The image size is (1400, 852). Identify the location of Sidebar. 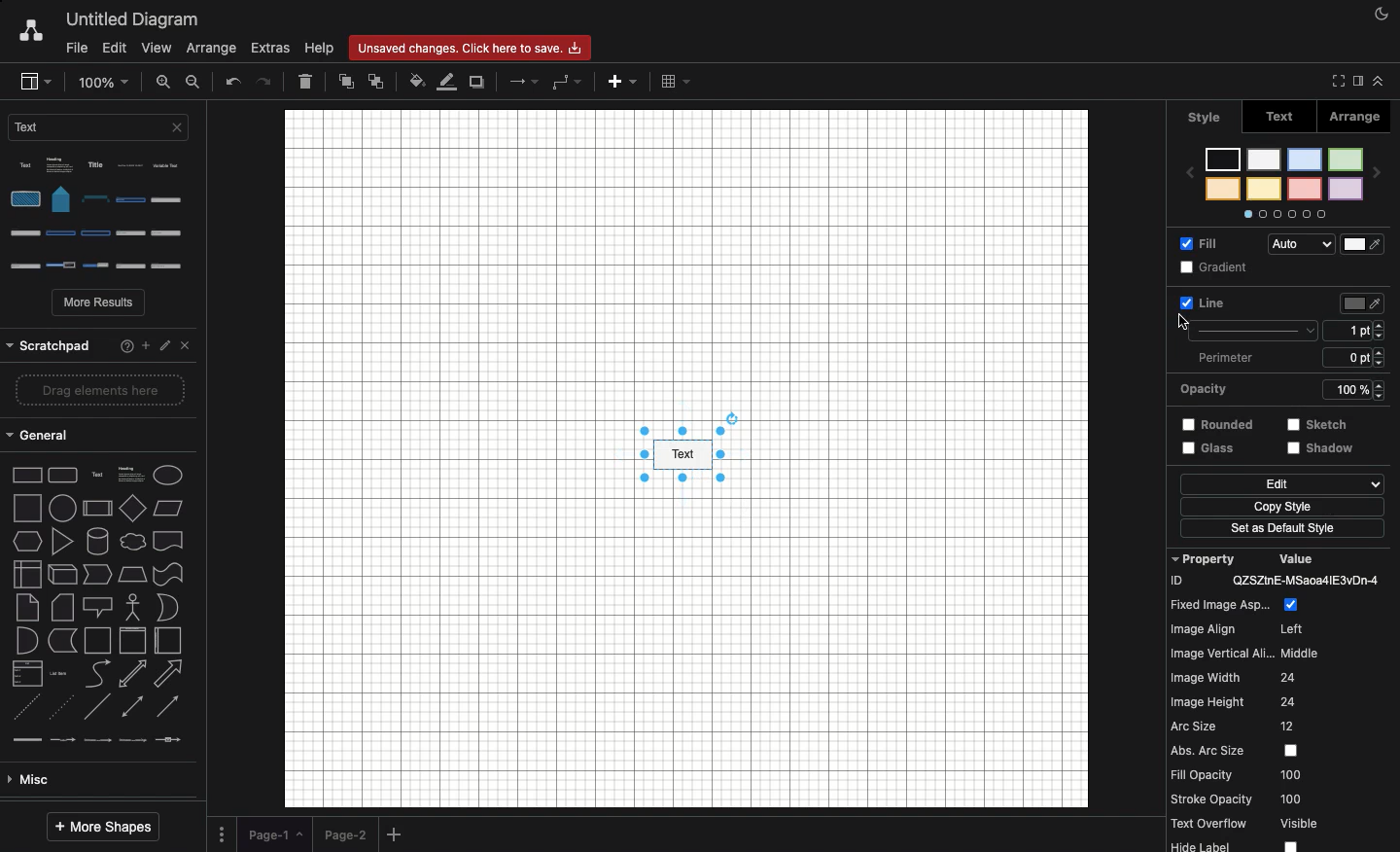
(34, 82).